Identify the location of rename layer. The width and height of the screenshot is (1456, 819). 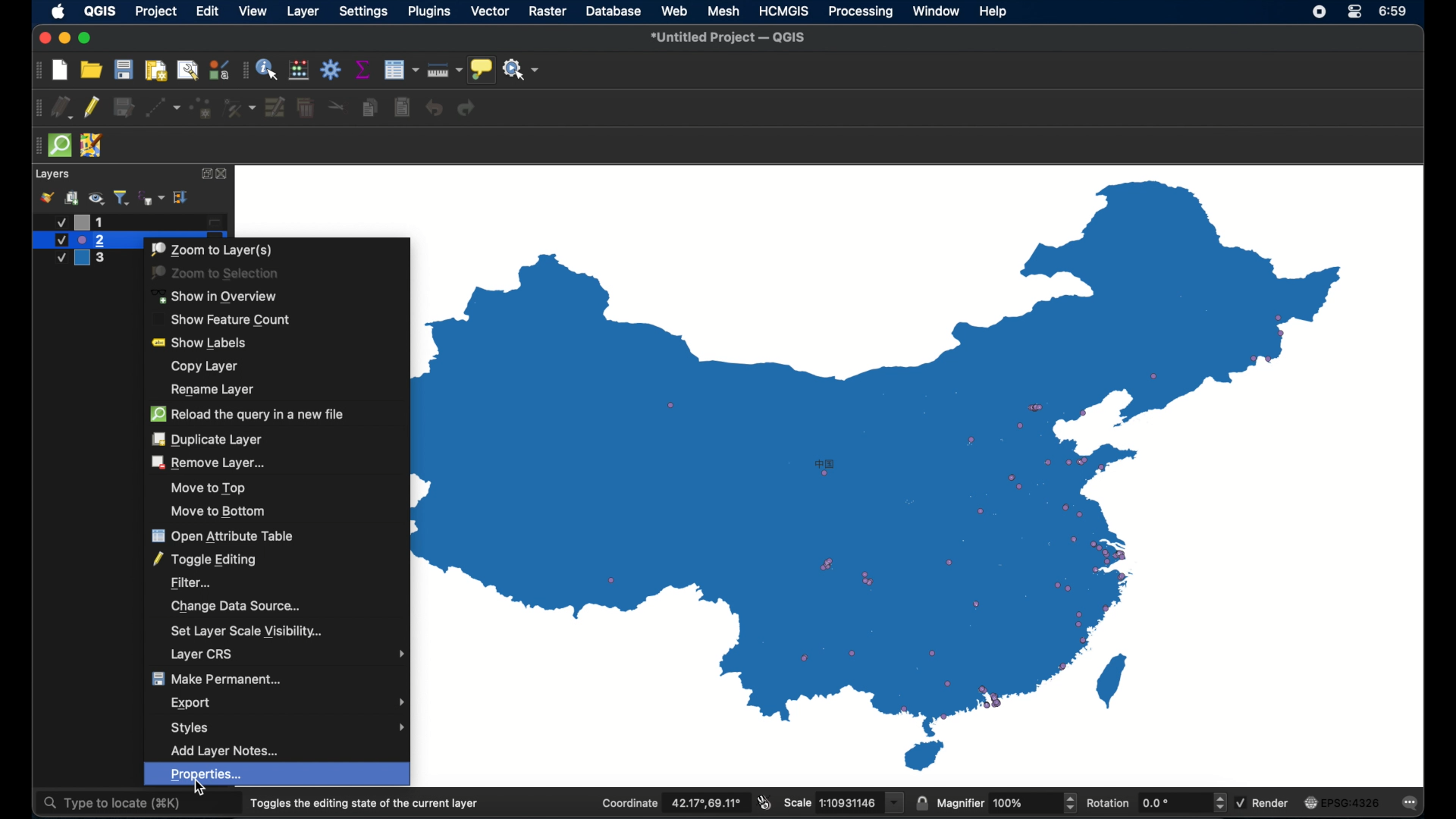
(216, 389).